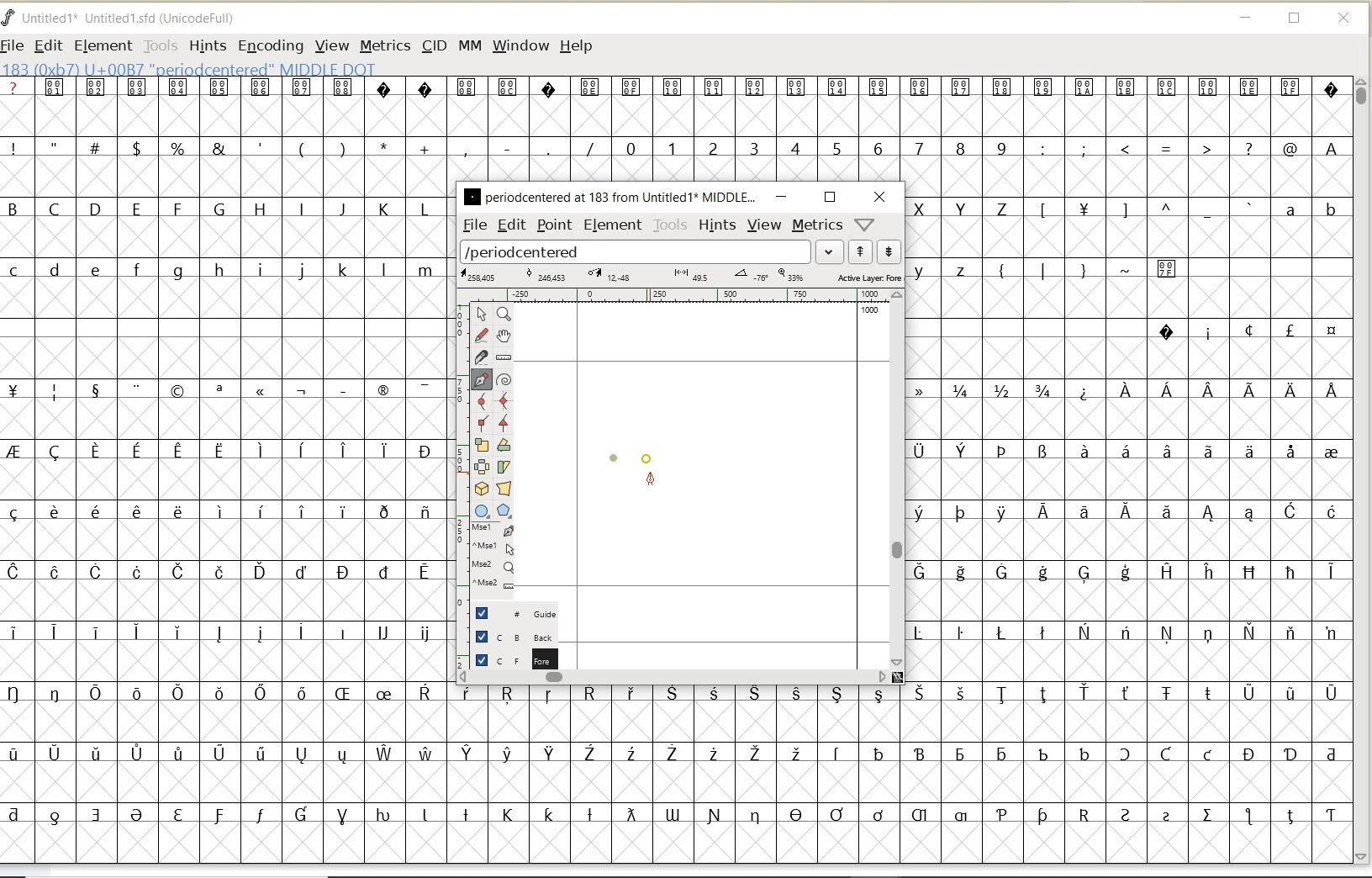 The width and height of the screenshot is (1372, 878). Describe the element at coordinates (879, 197) in the screenshot. I see `close` at that location.